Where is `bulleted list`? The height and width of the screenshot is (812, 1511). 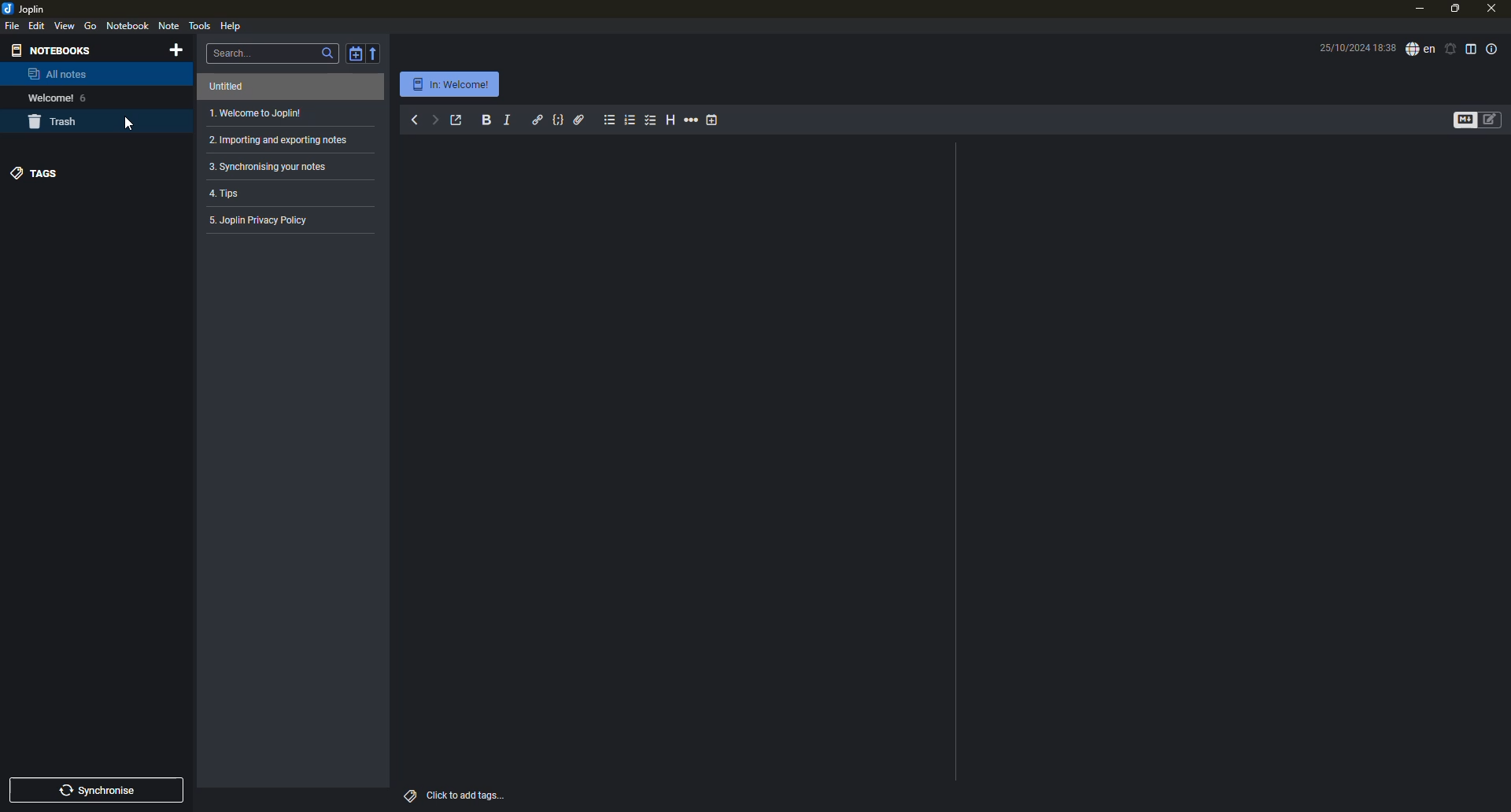 bulleted list is located at coordinates (608, 120).